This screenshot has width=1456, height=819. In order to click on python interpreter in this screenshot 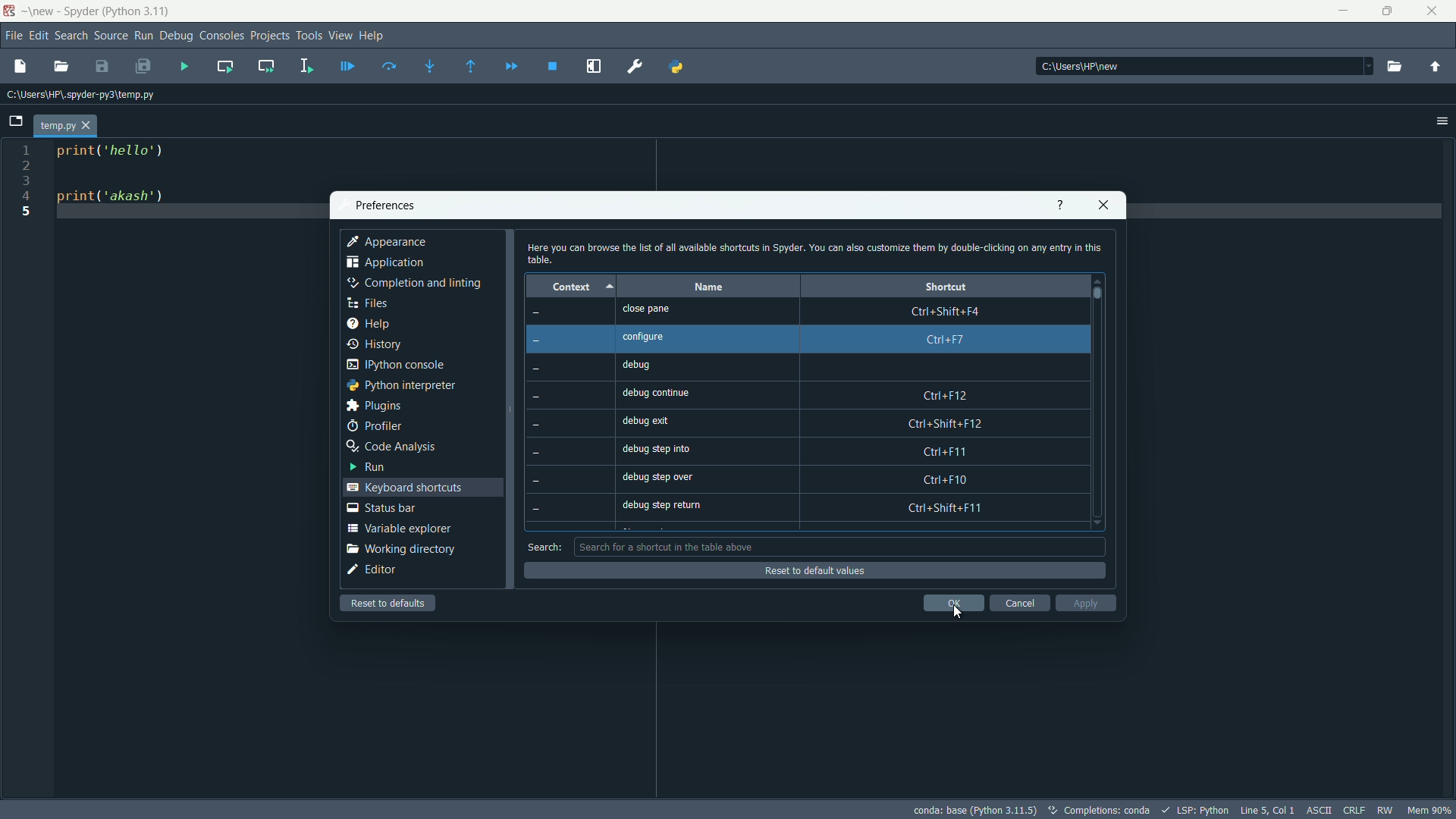, I will do `click(399, 386)`.